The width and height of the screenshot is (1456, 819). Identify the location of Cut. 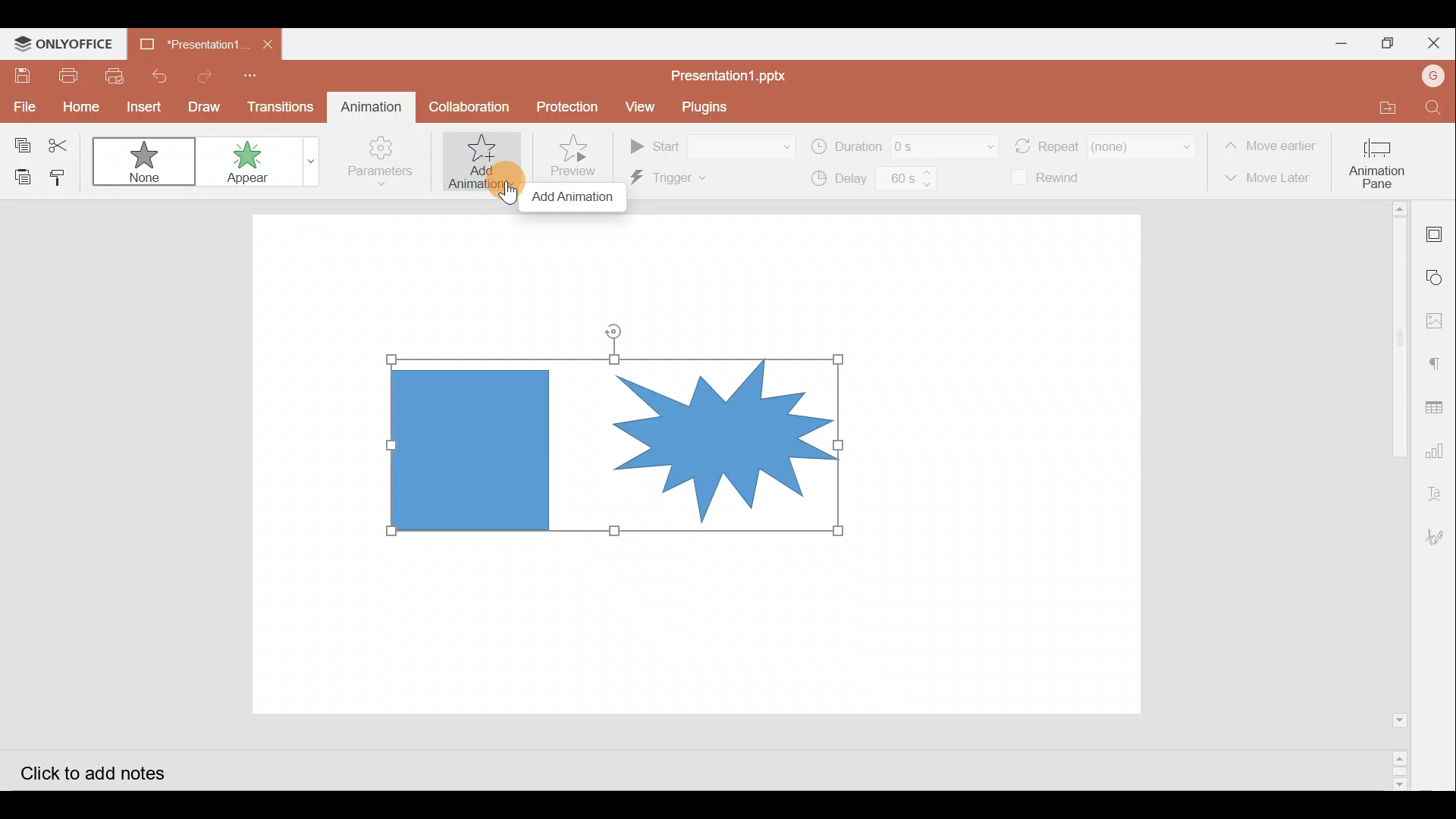
(64, 143).